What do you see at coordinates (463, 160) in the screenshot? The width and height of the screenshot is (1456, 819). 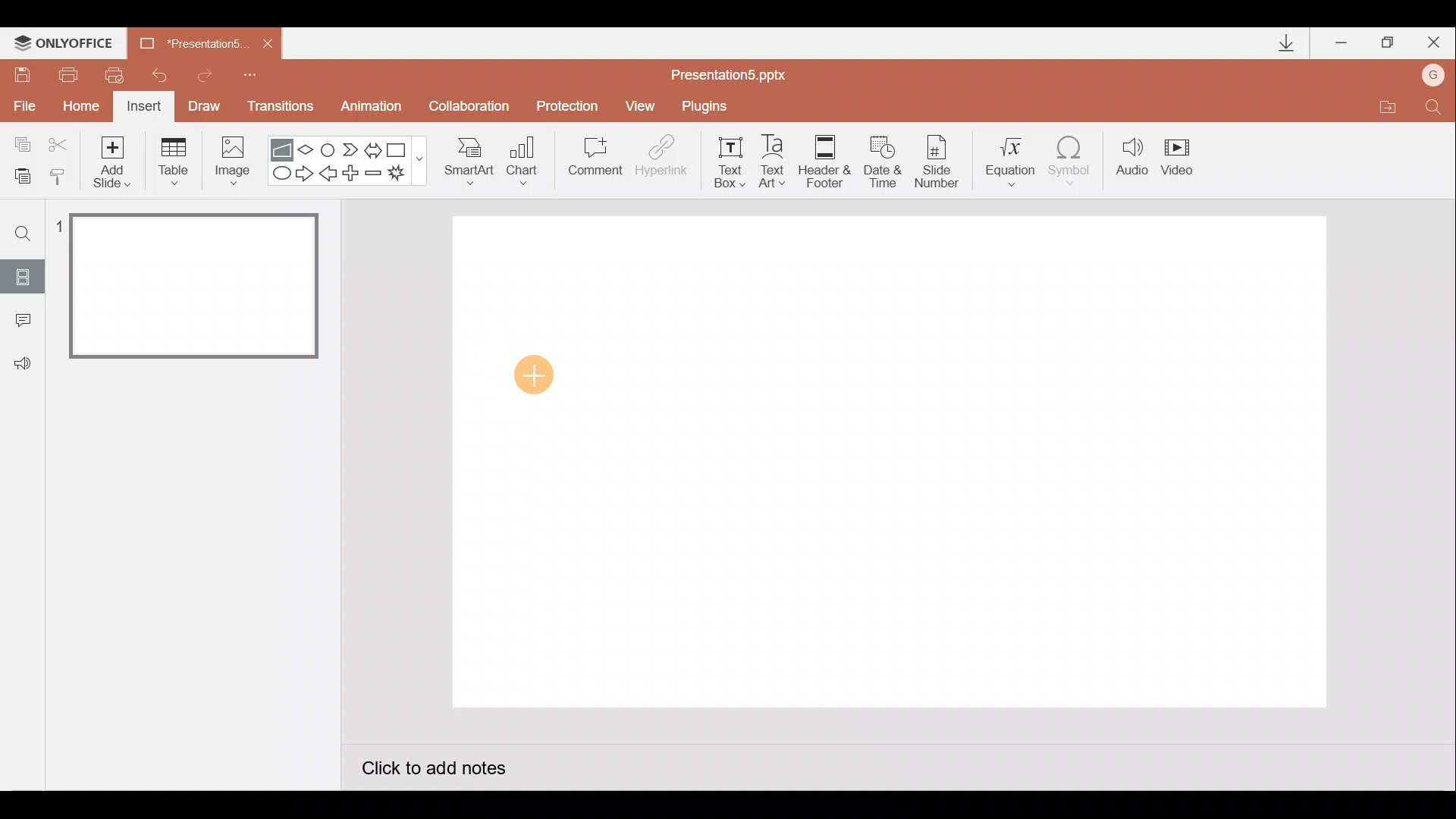 I see `SmartArt` at bounding box center [463, 160].